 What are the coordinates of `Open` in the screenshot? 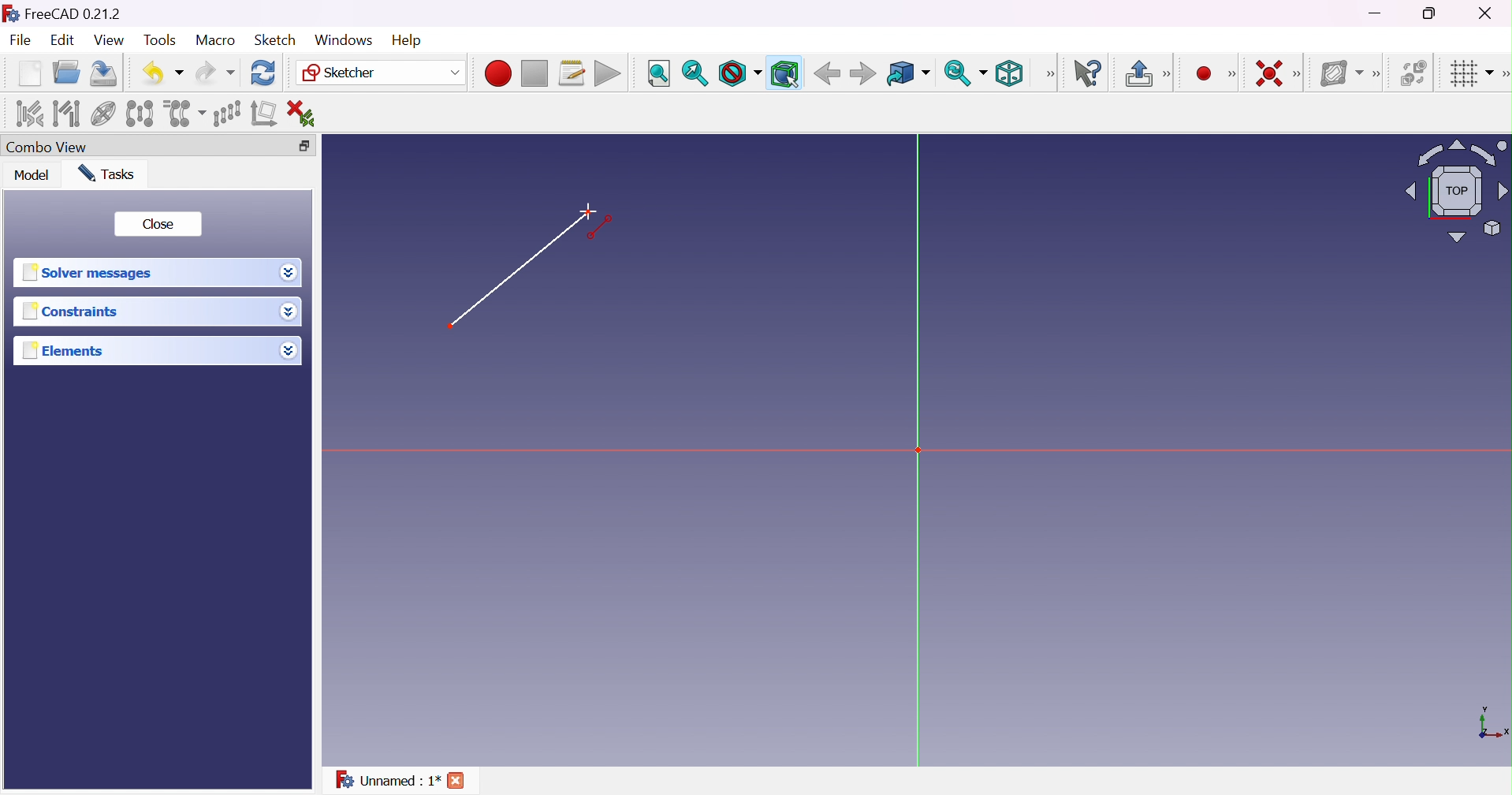 It's located at (69, 72).